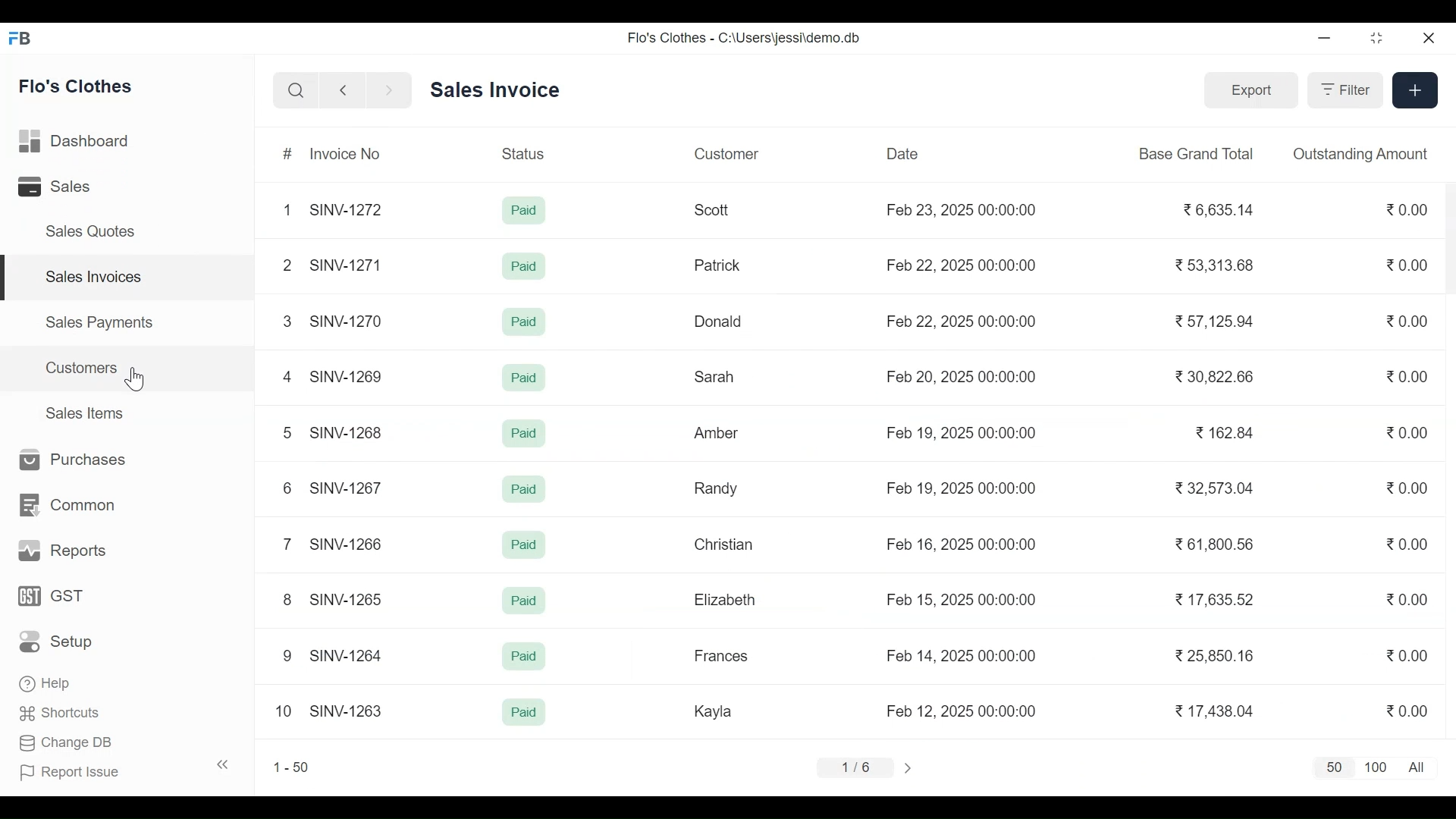 The image size is (1456, 819). What do you see at coordinates (711, 210) in the screenshot?
I see `Scott` at bounding box center [711, 210].